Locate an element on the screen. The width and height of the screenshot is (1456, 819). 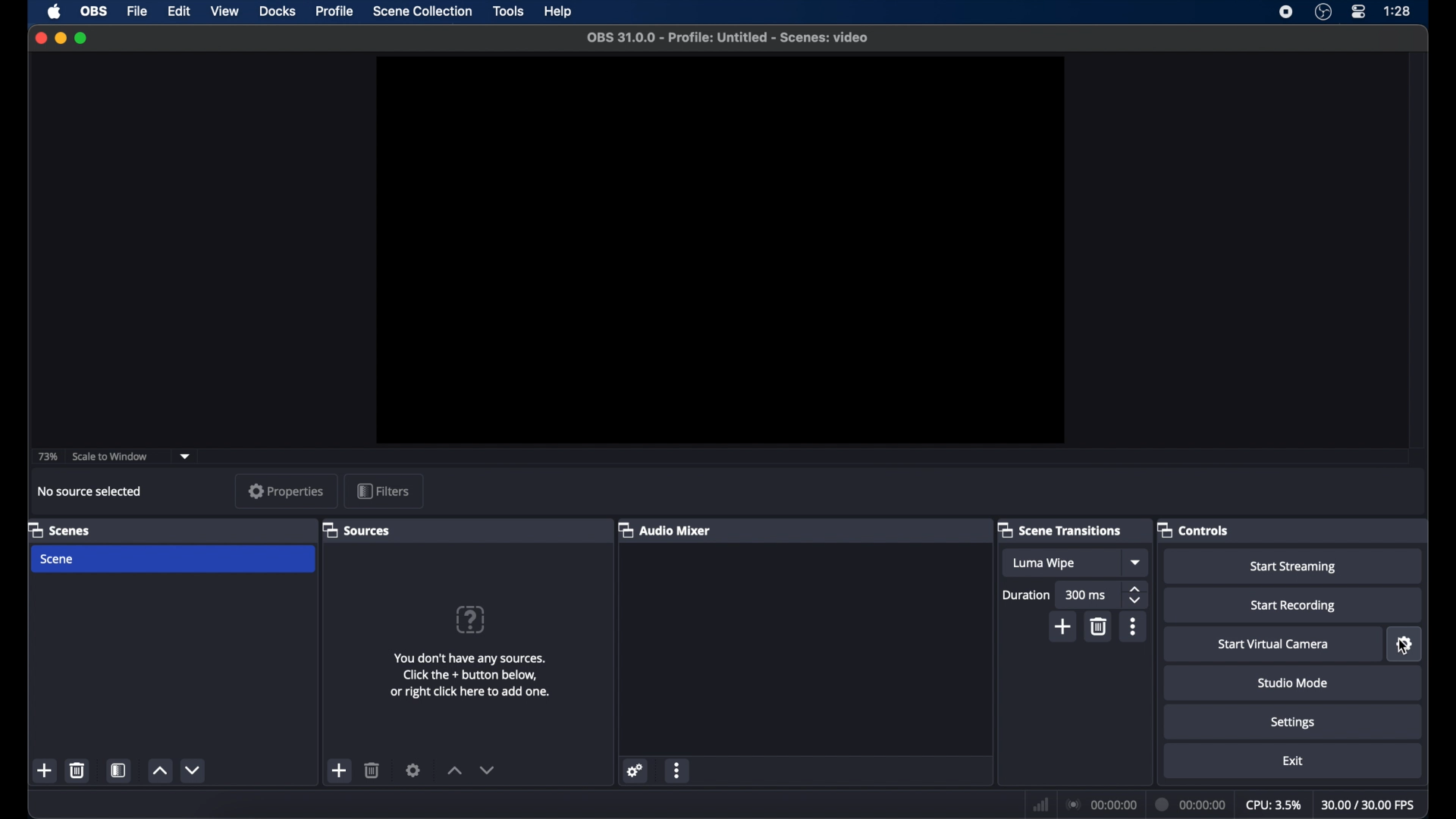
300 ms is located at coordinates (1087, 595).